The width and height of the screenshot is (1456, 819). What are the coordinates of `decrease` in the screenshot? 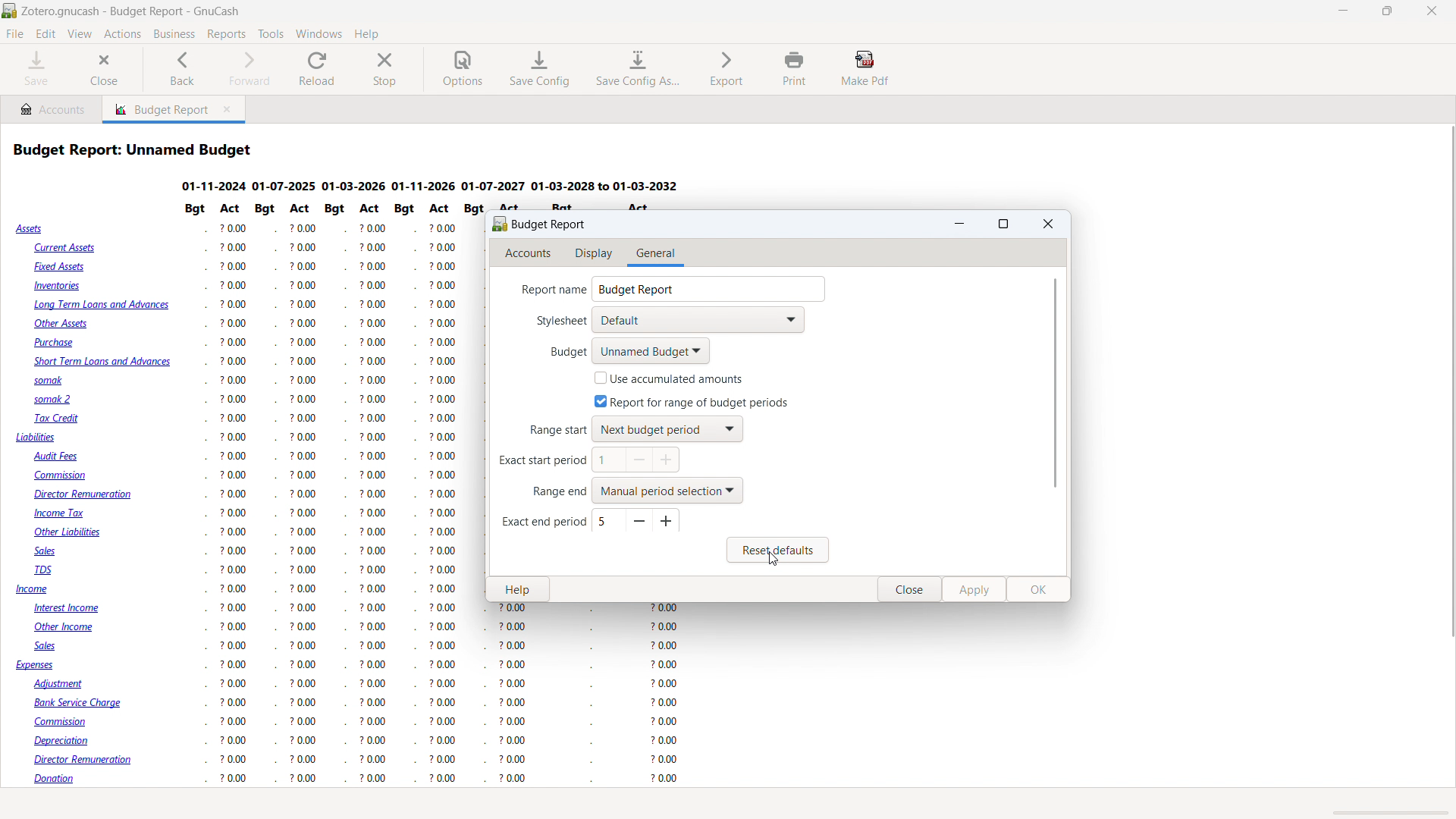 It's located at (641, 460).